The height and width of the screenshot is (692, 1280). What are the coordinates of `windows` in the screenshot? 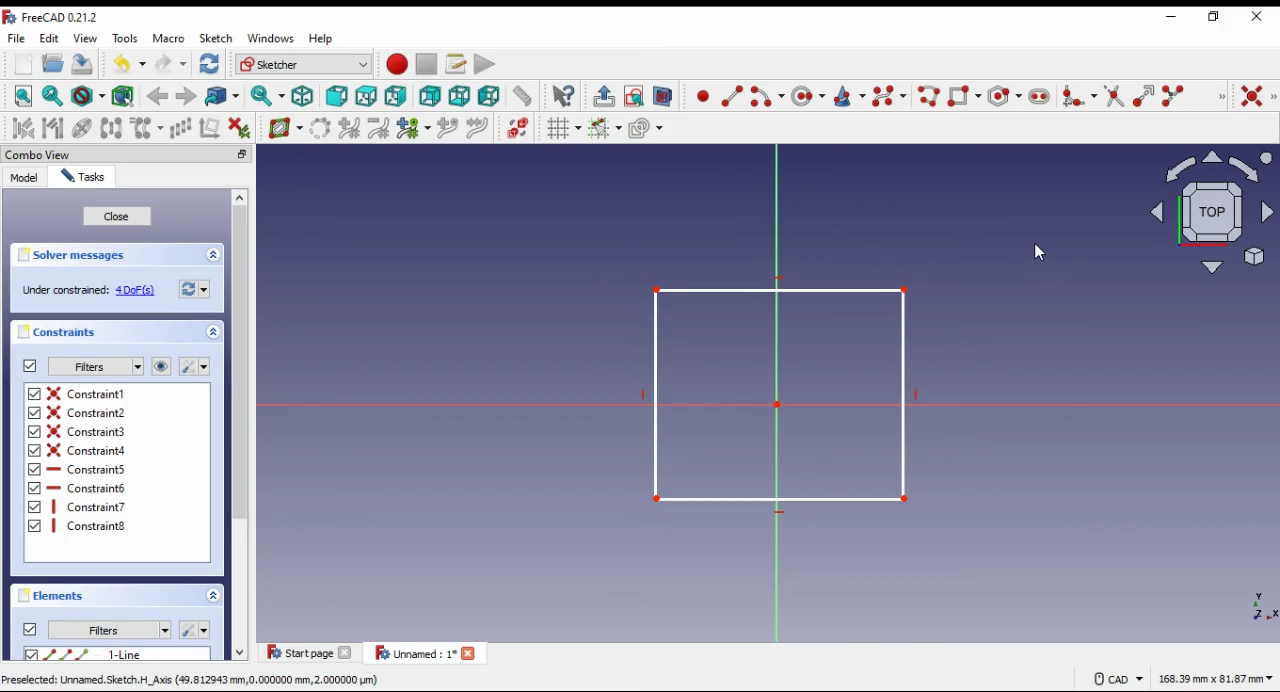 It's located at (270, 38).